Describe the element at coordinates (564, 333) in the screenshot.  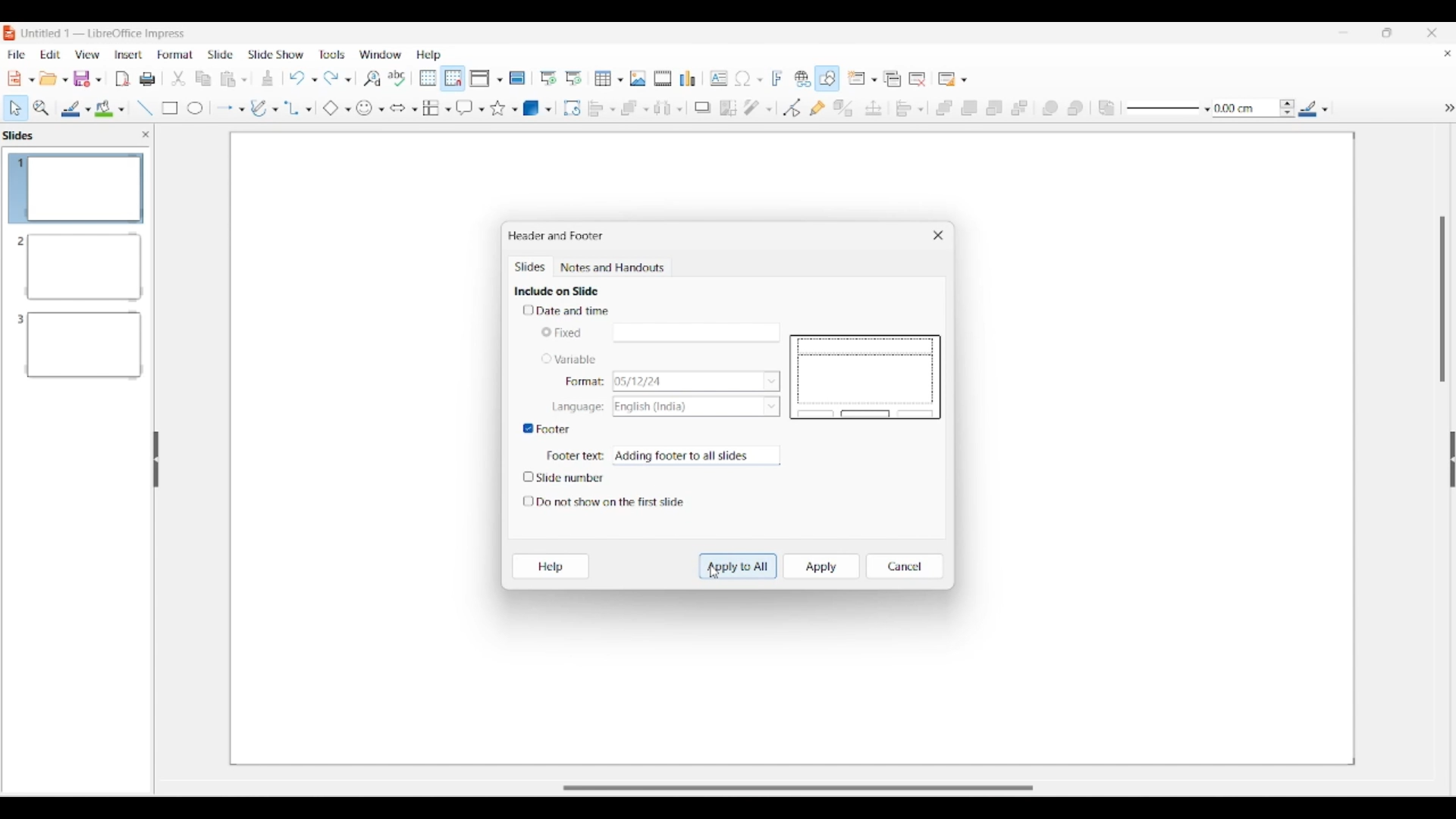
I see `Toggle for Fixed` at that location.